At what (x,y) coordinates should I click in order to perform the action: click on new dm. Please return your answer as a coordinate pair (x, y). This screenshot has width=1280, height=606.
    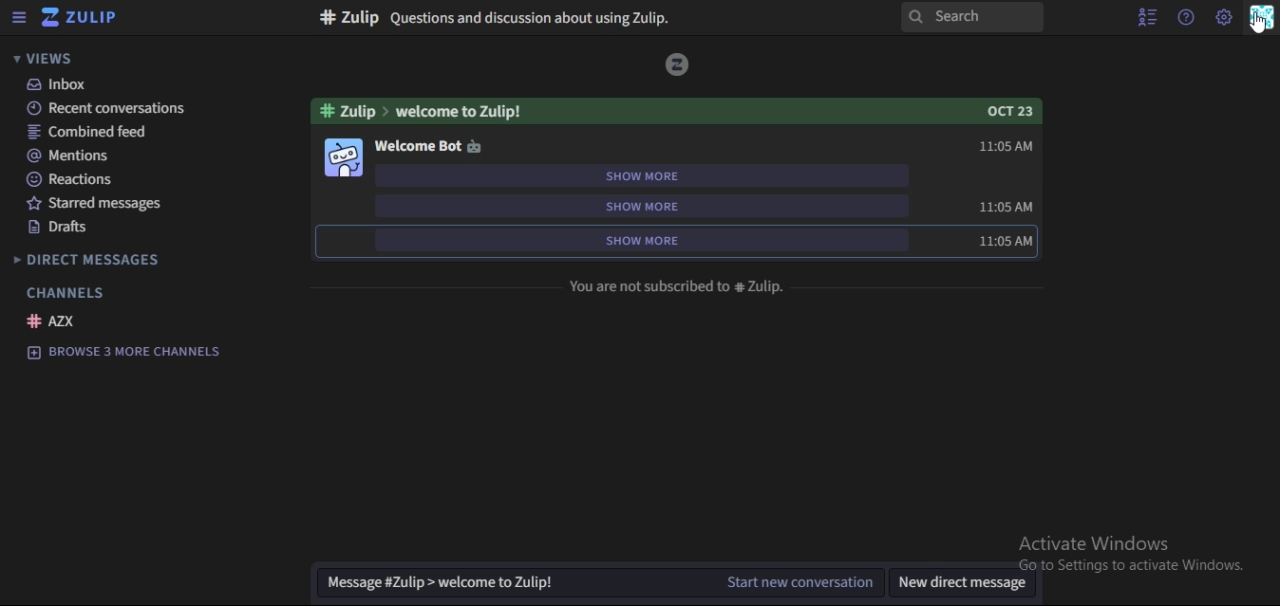
    Looking at the image, I should click on (966, 585).